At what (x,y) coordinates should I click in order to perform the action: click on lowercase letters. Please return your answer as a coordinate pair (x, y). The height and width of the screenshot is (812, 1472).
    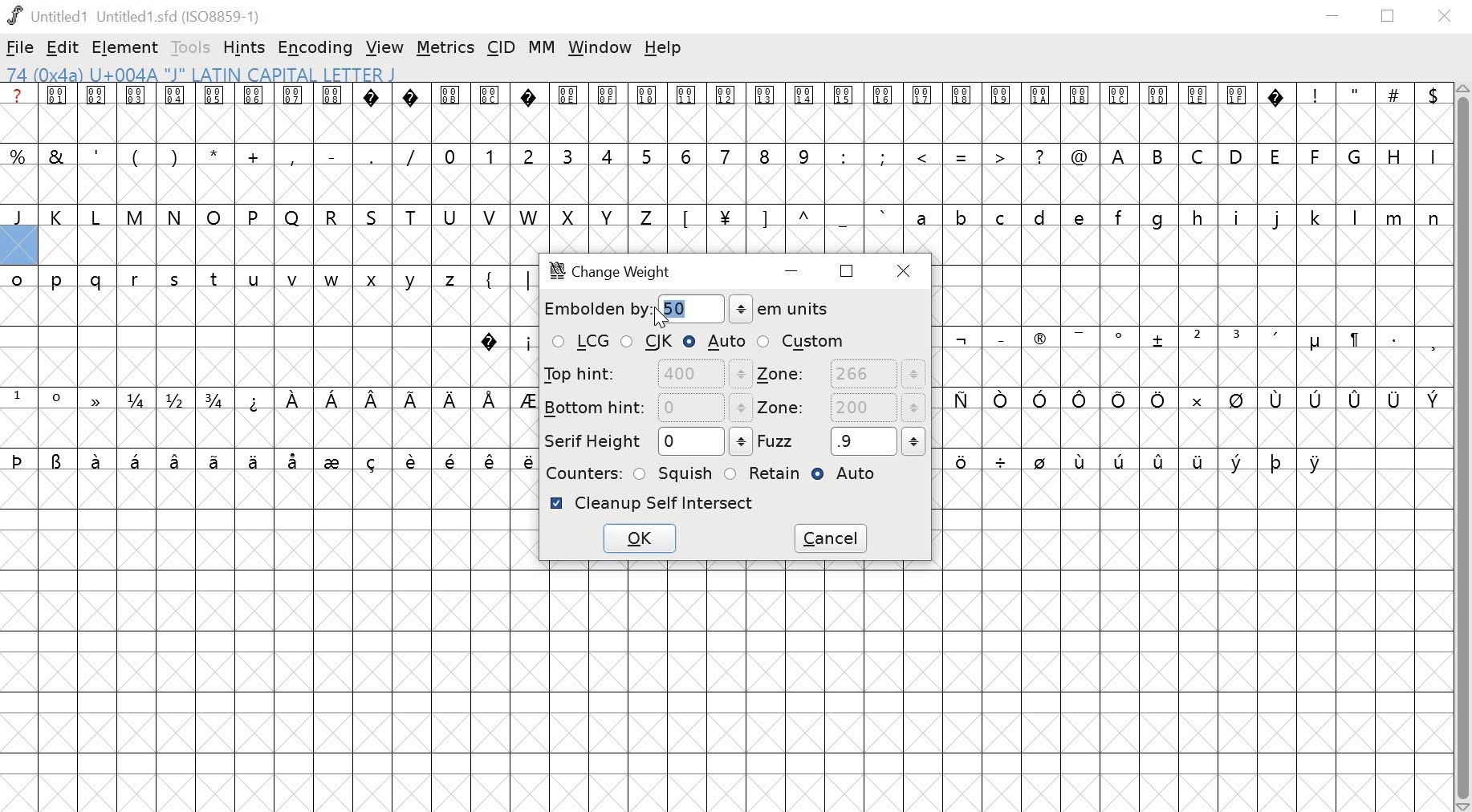
    Looking at the image, I should click on (238, 282).